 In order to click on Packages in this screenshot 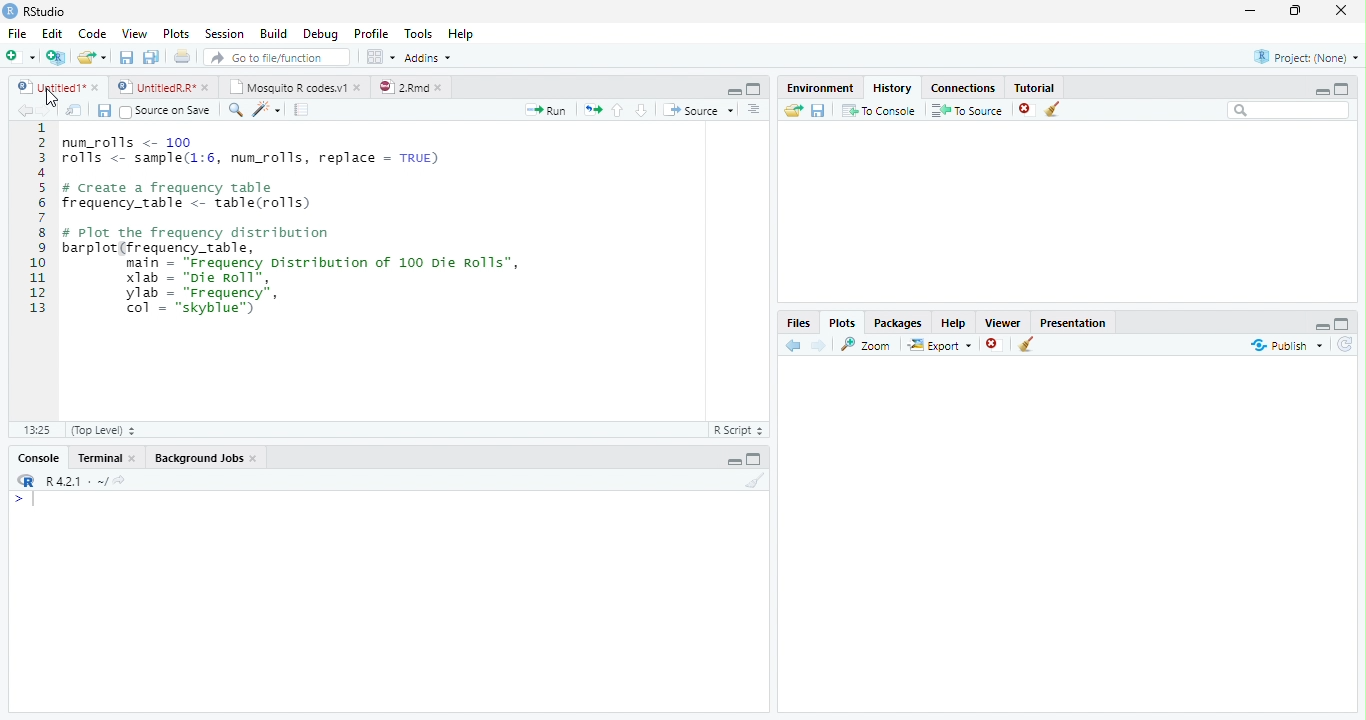, I will do `click(899, 322)`.